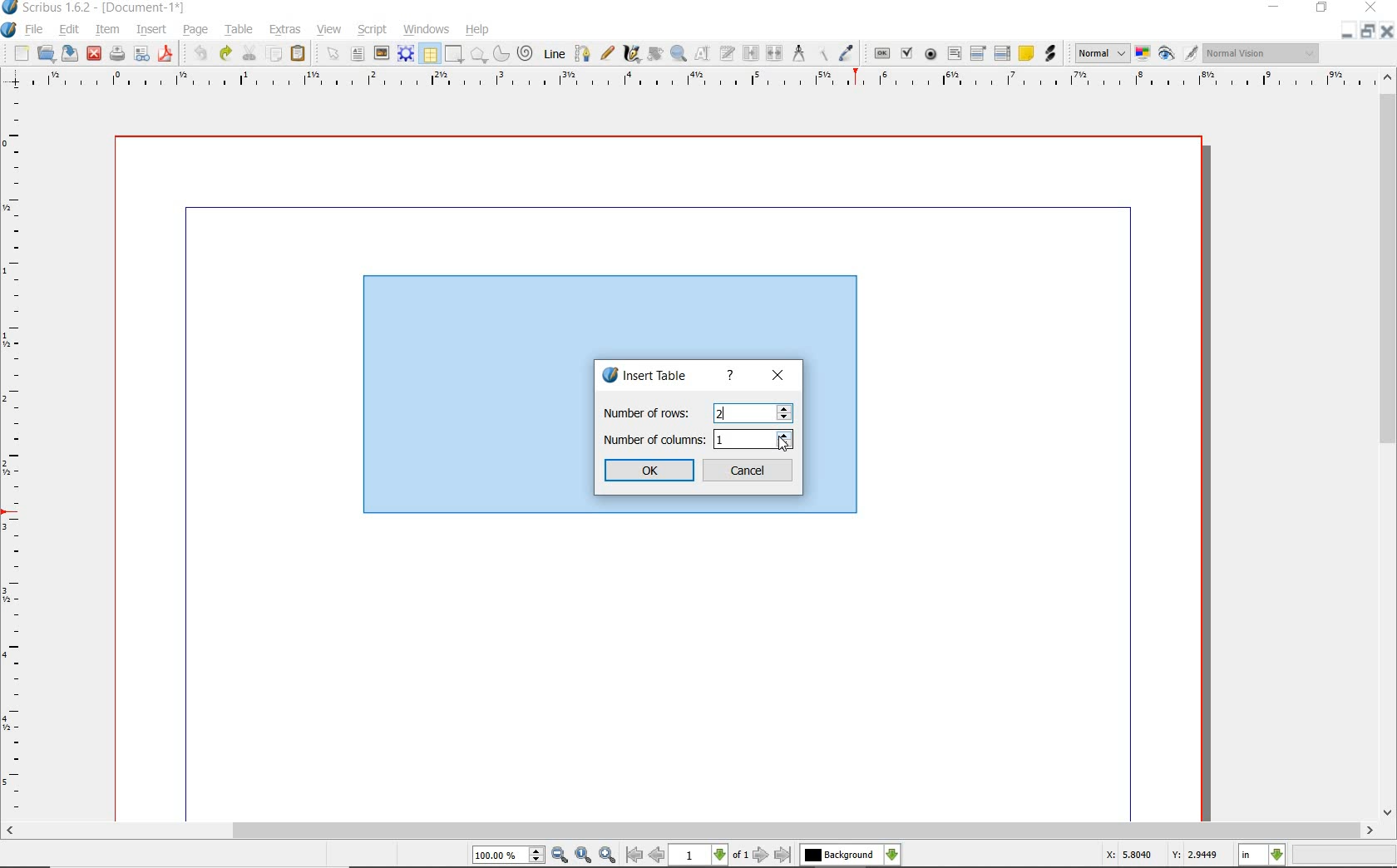 Image resolution: width=1397 pixels, height=868 pixels. What do you see at coordinates (526, 54) in the screenshot?
I see `spiral` at bounding box center [526, 54].